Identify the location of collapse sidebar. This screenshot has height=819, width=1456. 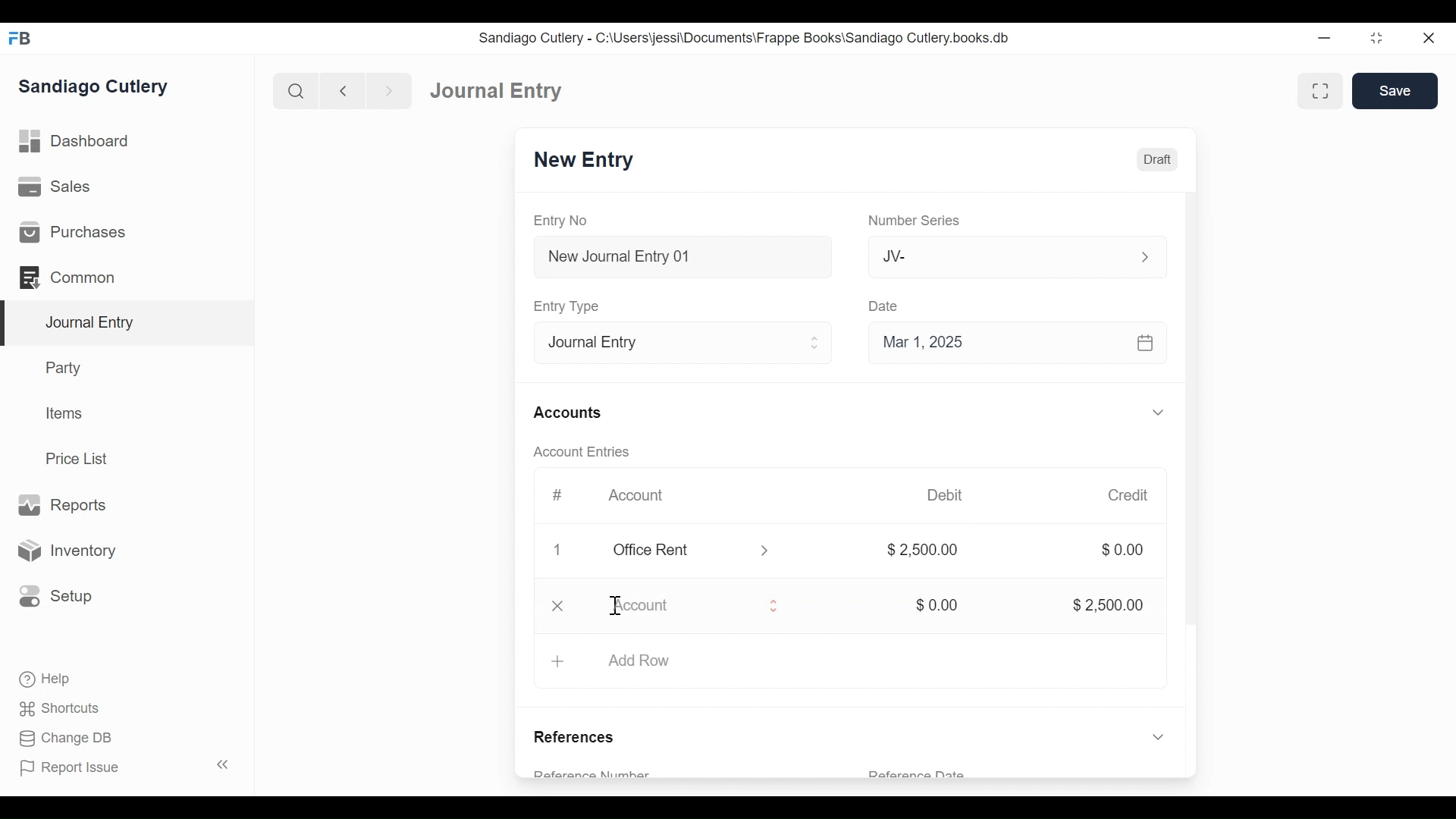
(220, 764).